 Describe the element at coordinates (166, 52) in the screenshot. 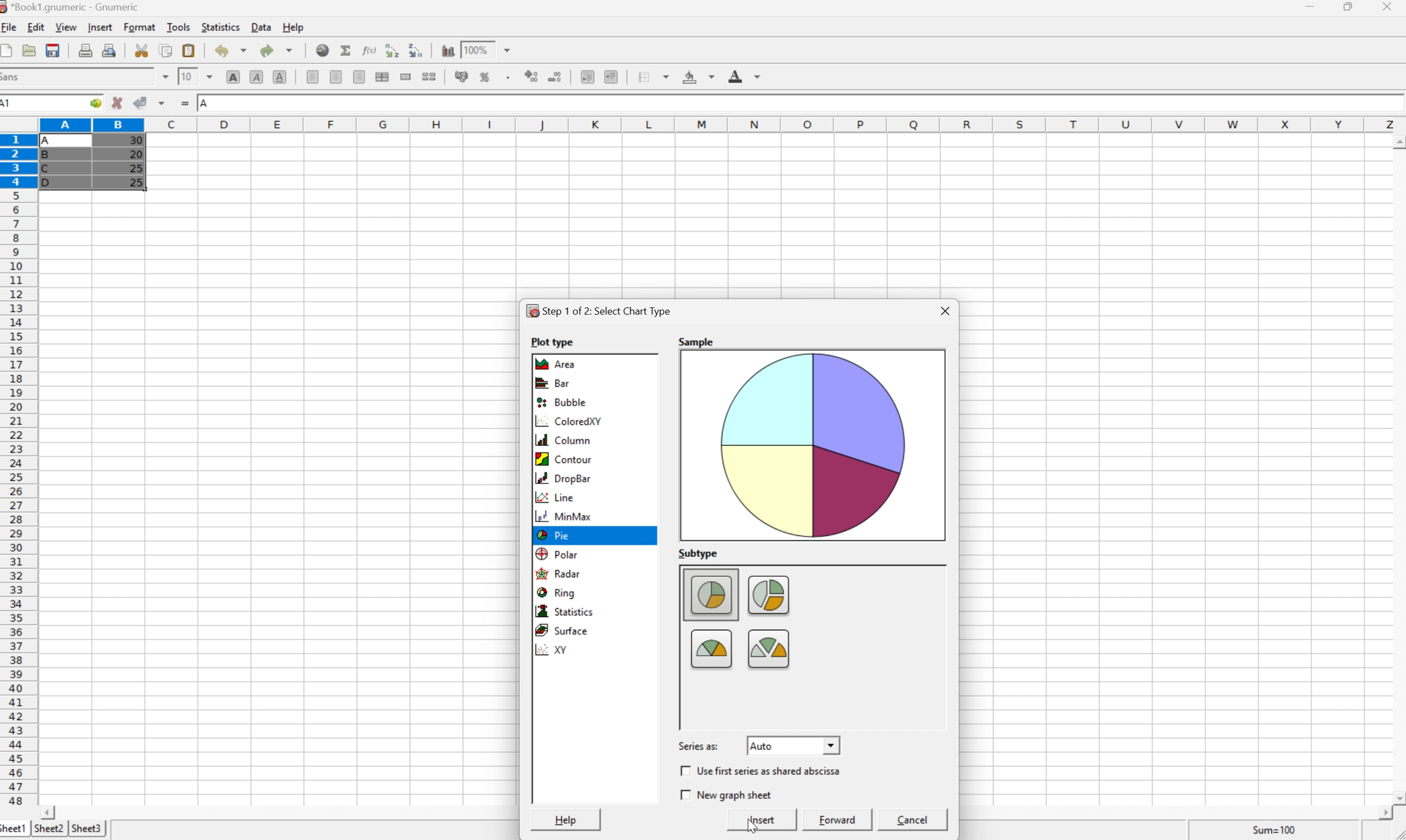

I see `Copy the selection` at that location.